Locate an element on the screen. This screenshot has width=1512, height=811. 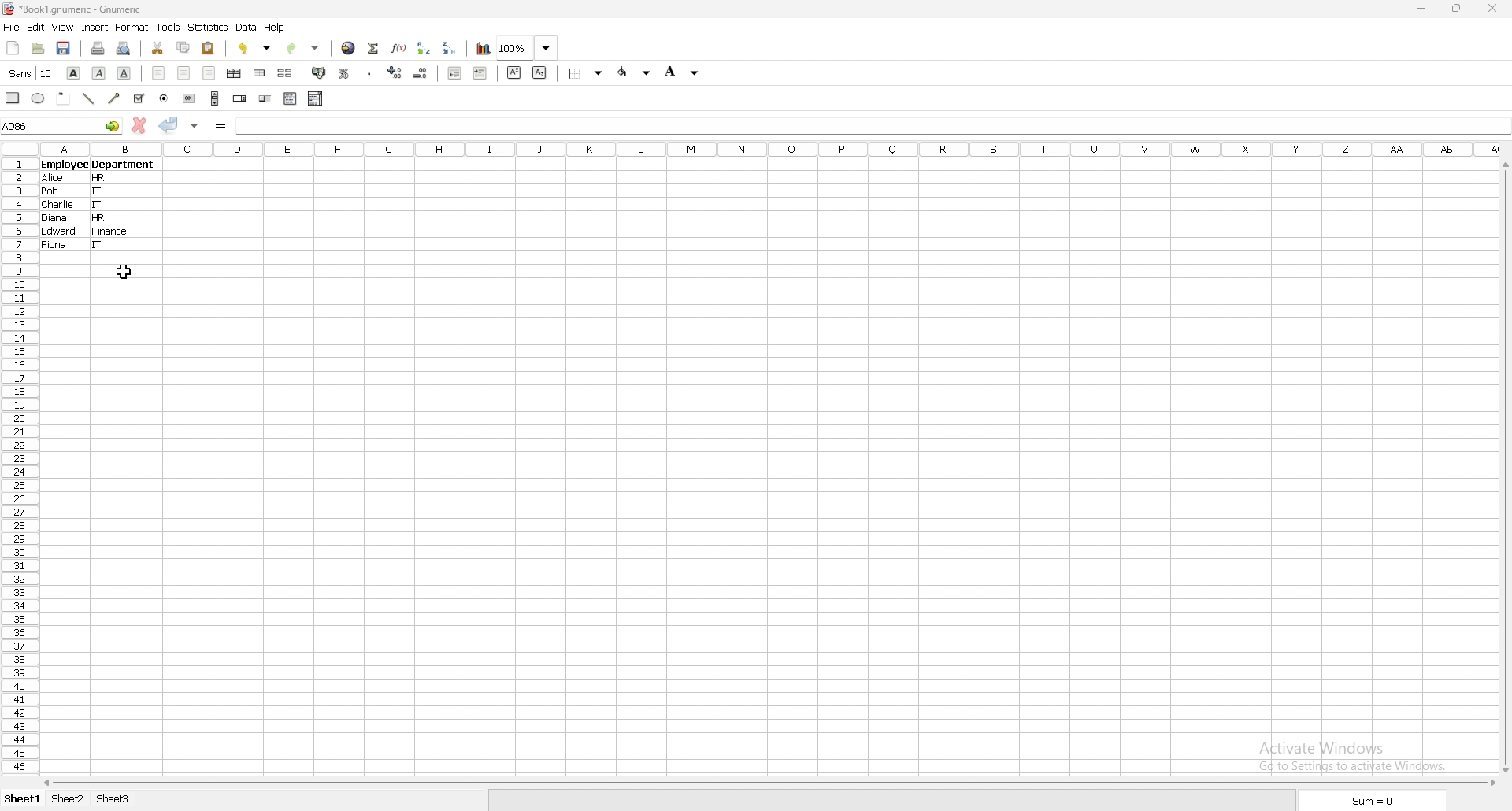
hr is located at coordinates (98, 220).